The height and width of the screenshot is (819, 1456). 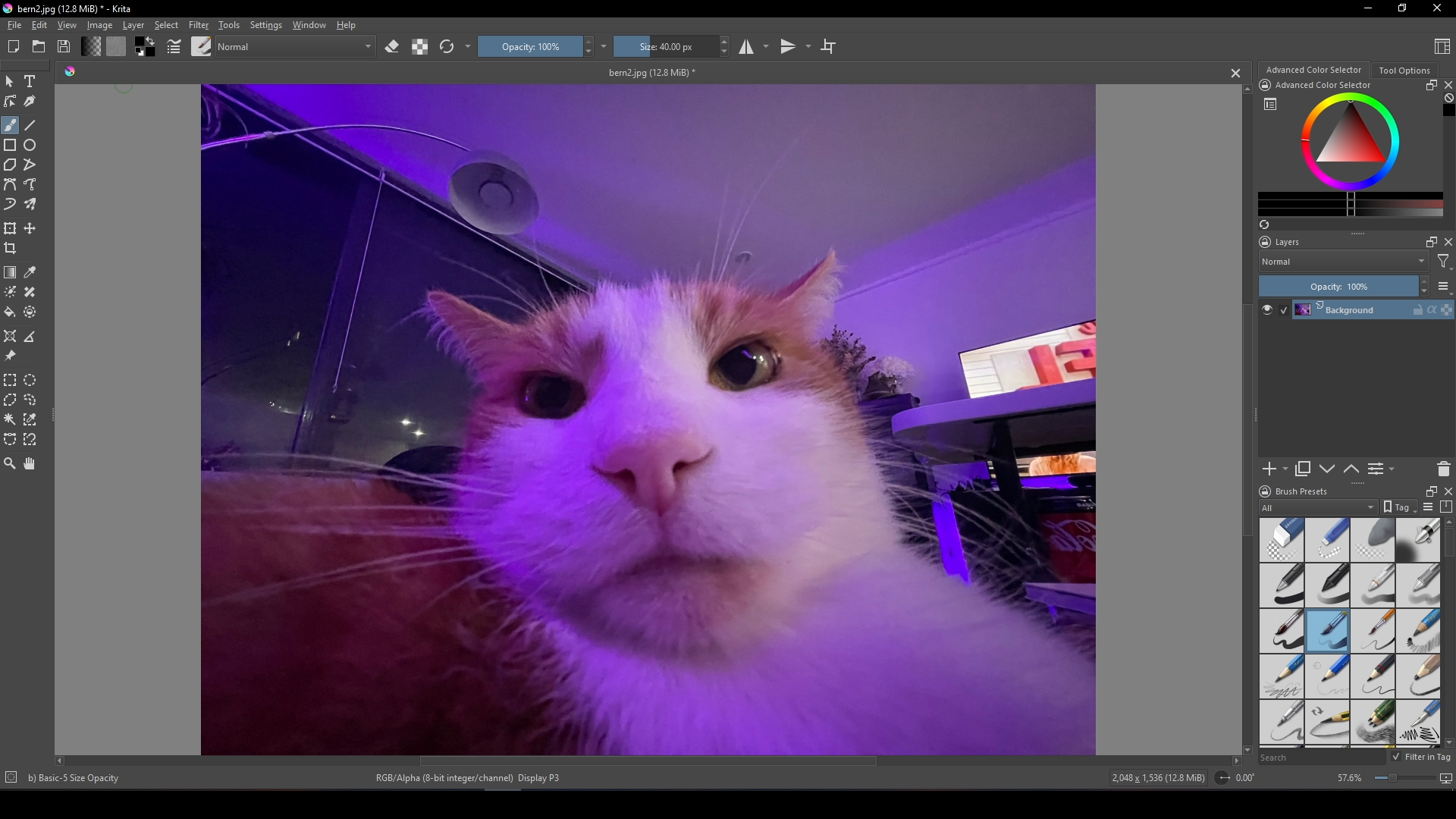 What do you see at coordinates (30, 184) in the screenshot?
I see `Freehand path tool` at bounding box center [30, 184].